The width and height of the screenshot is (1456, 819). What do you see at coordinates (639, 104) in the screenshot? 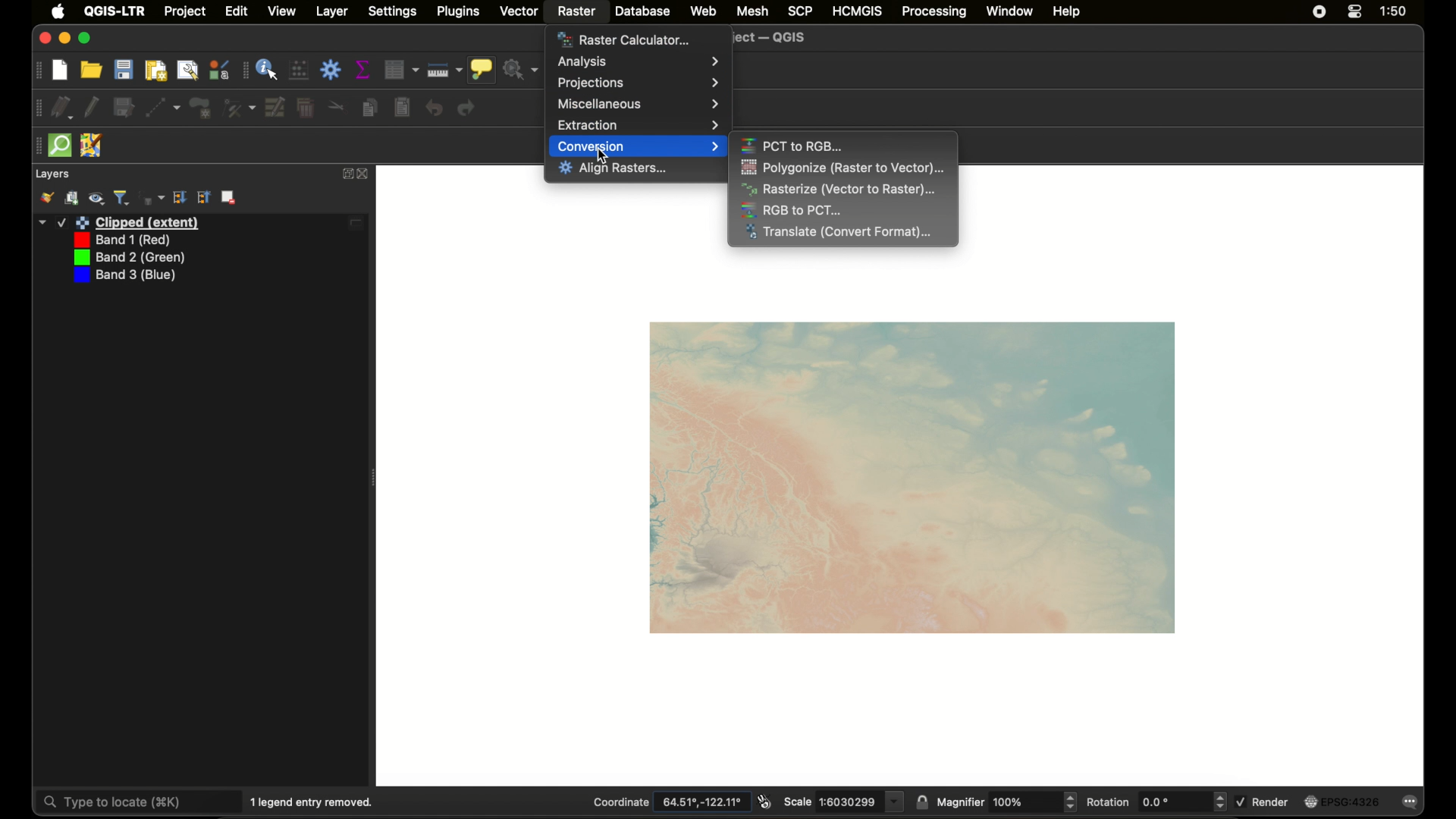
I see `miscellaneous` at bounding box center [639, 104].